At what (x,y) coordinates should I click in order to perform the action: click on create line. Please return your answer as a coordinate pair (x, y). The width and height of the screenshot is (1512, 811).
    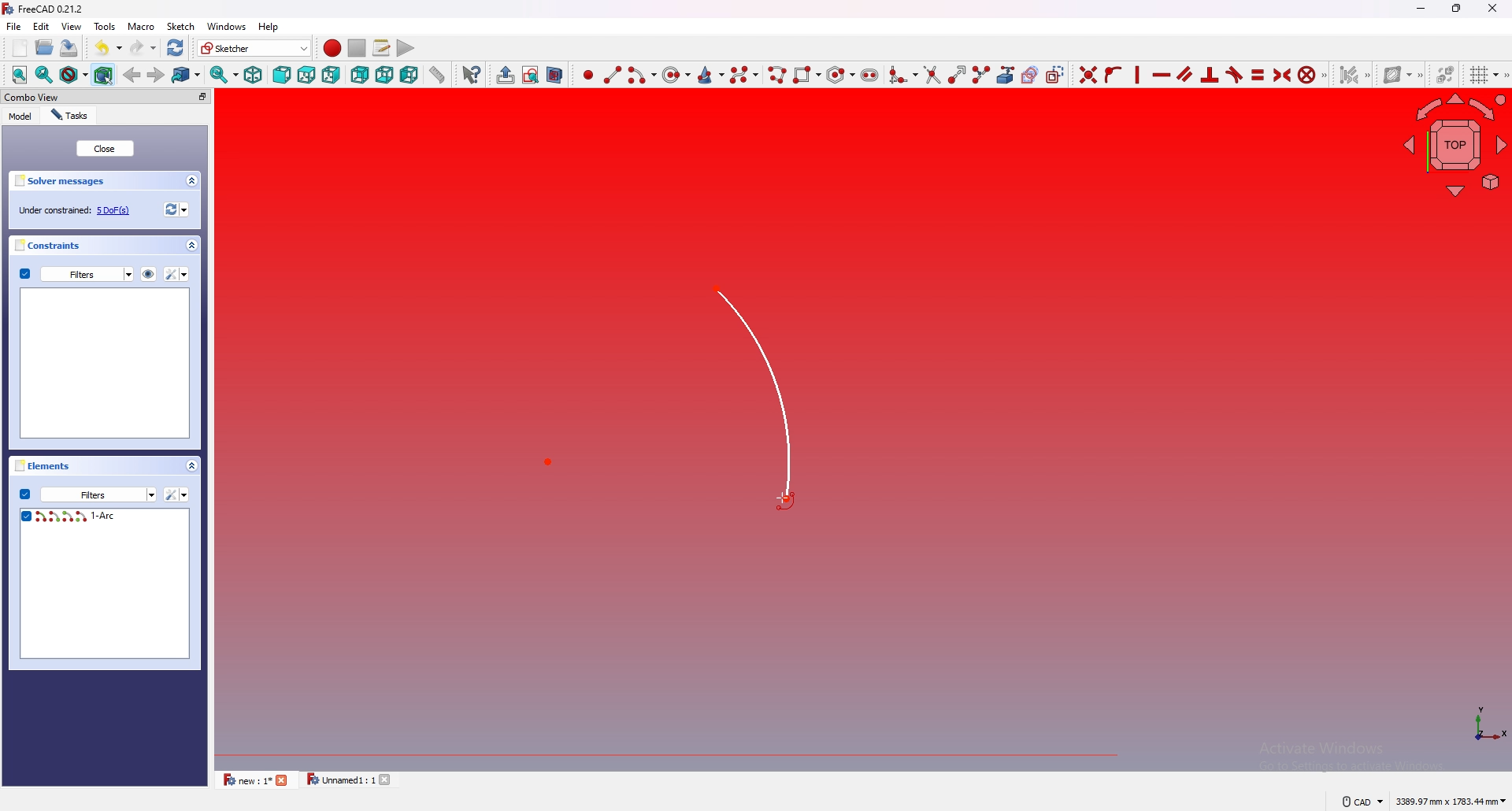
    Looking at the image, I should click on (613, 74).